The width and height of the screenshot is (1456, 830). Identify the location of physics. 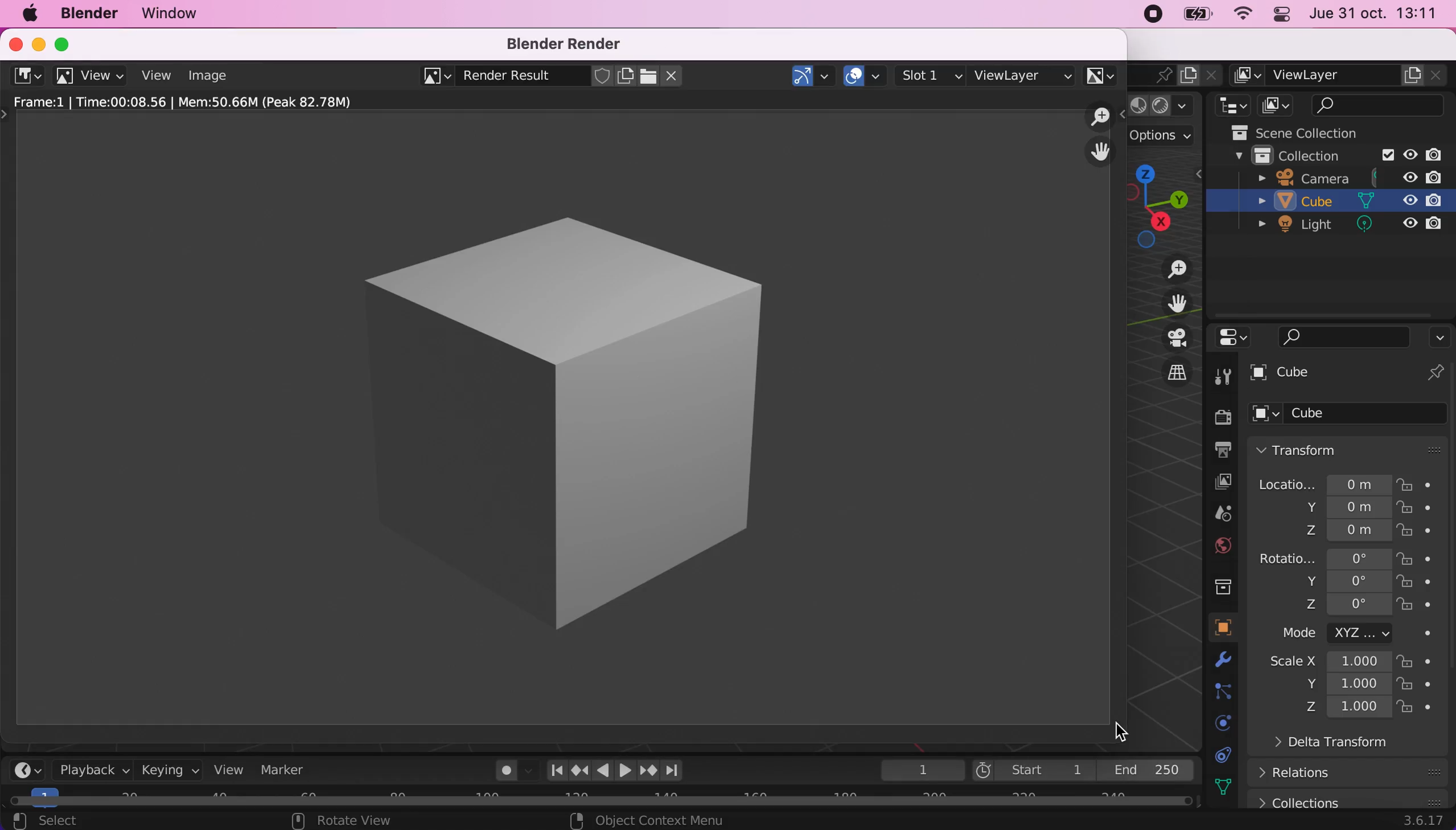
(1218, 722).